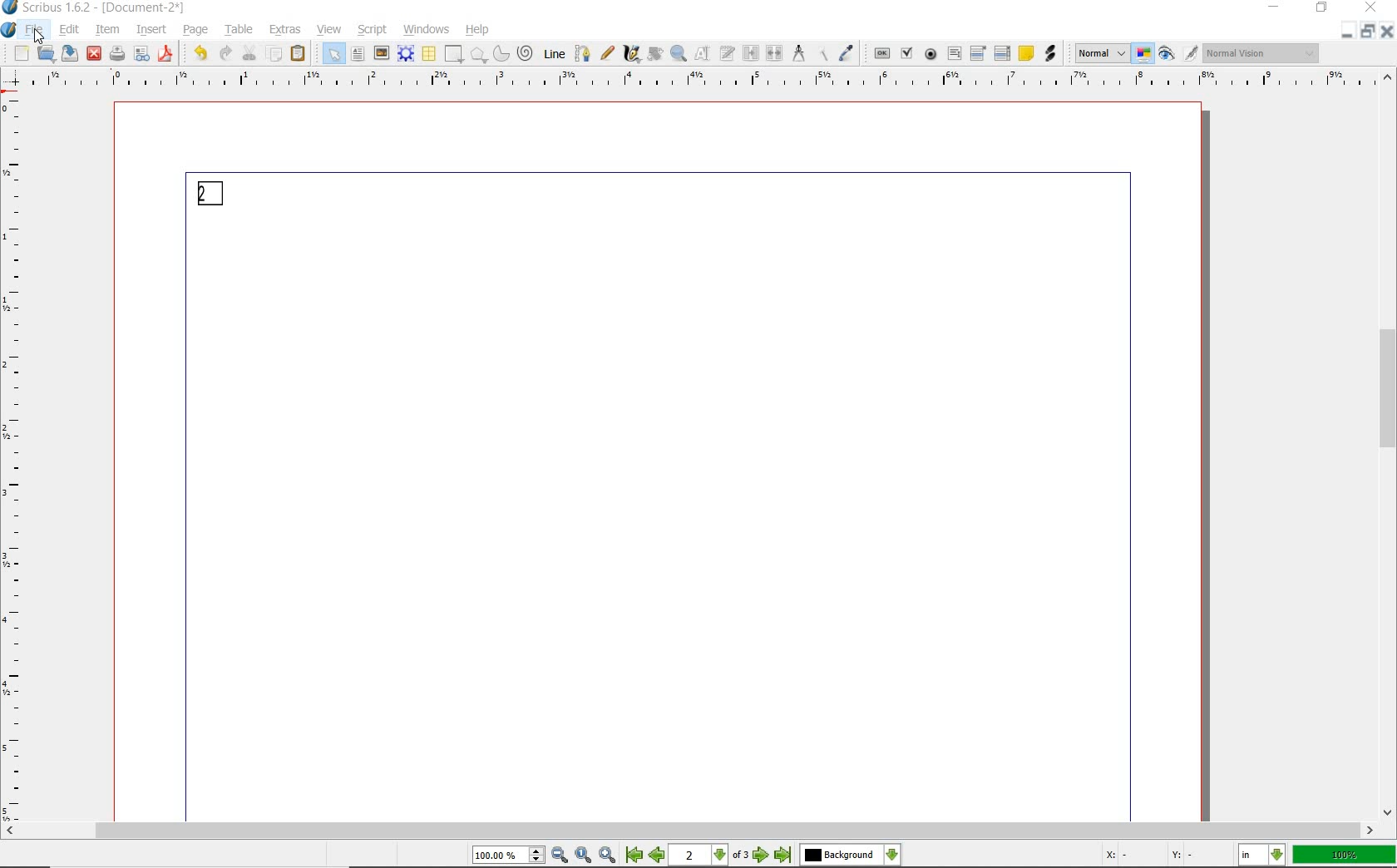 This screenshot has width=1397, height=868. What do you see at coordinates (583, 53) in the screenshot?
I see `Bezier curve` at bounding box center [583, 53].